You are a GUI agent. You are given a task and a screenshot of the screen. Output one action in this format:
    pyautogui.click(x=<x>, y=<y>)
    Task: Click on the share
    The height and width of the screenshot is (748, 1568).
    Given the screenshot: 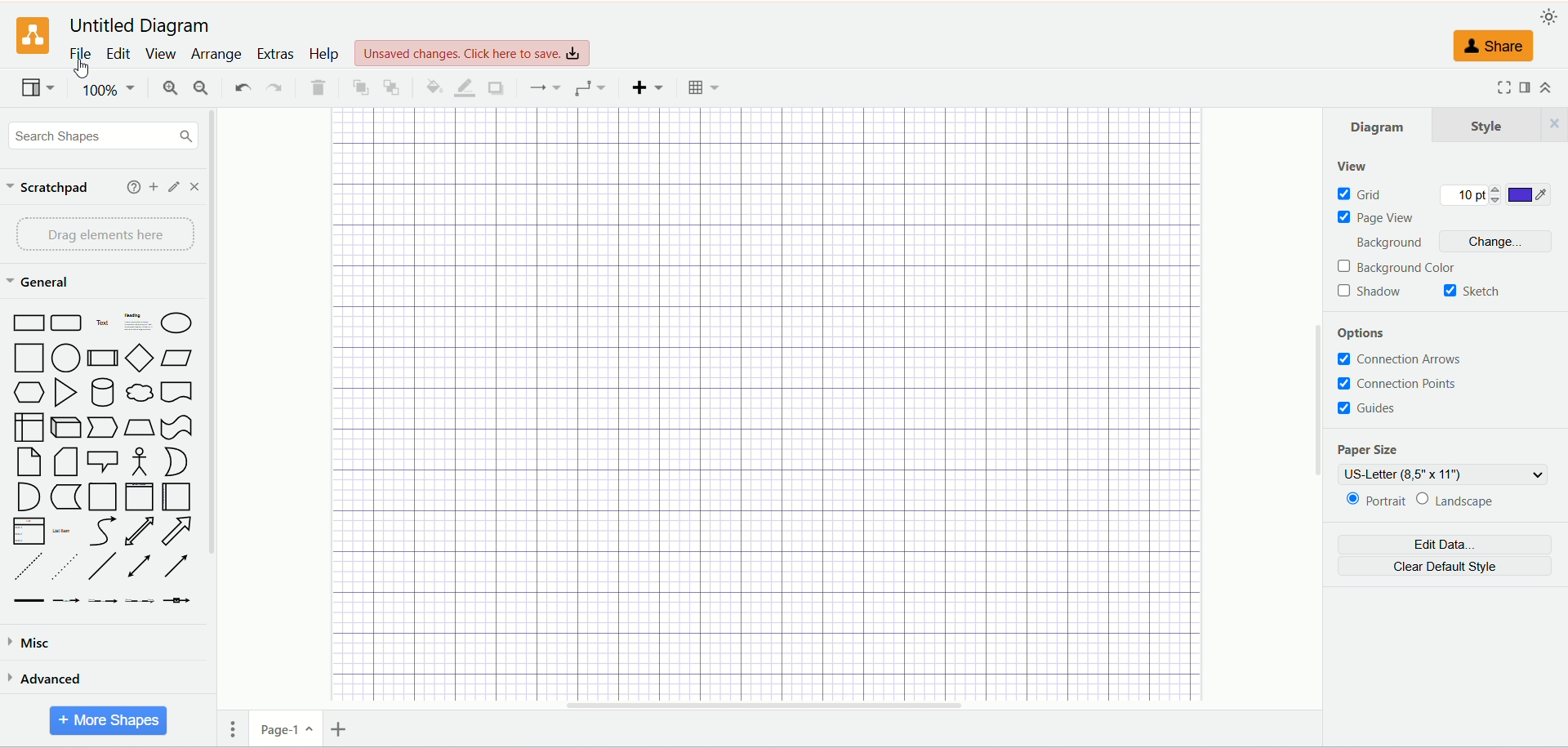 What is the action you would take?
    pyautogui.click(x=1496, y=47)
    